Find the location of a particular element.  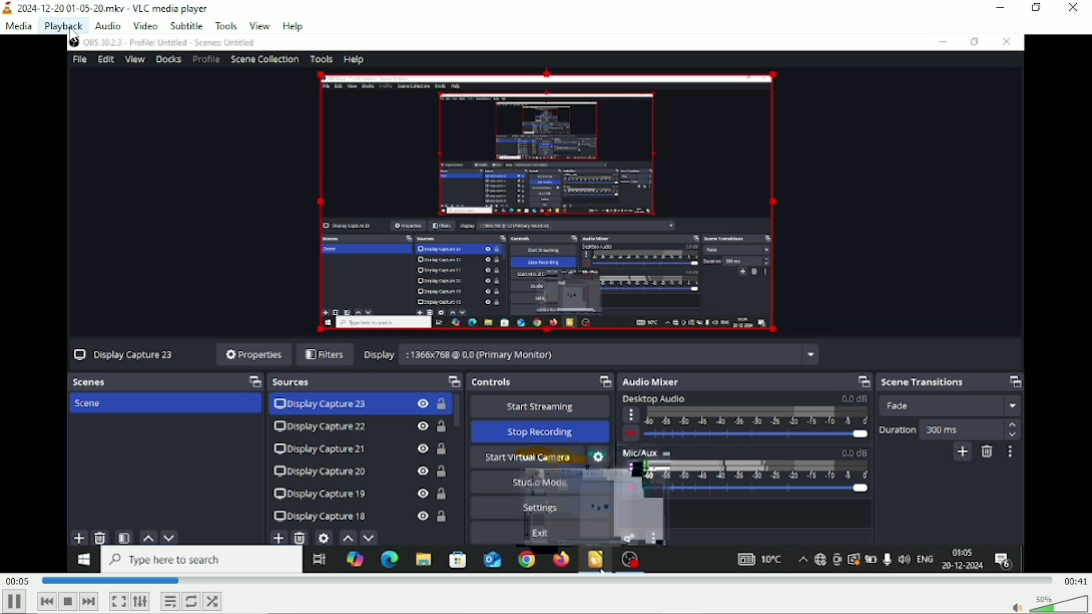

Stop playlist is located at coordinates (68, 601).